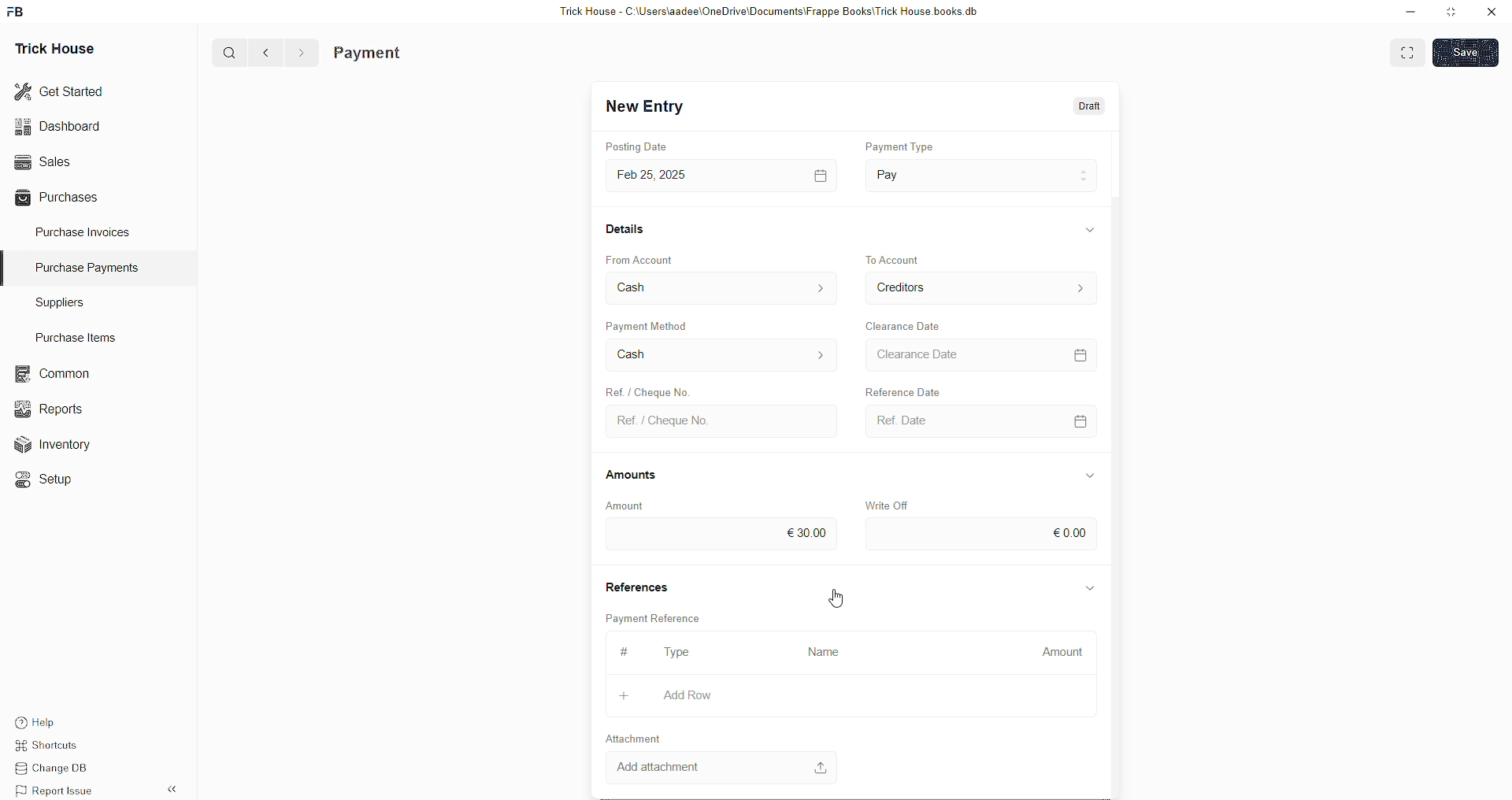 The width and height of the screenshot is (1512, 800). Describe the element at coordinates (898, 287) in the screenshot. I see `Creditors` at that location.